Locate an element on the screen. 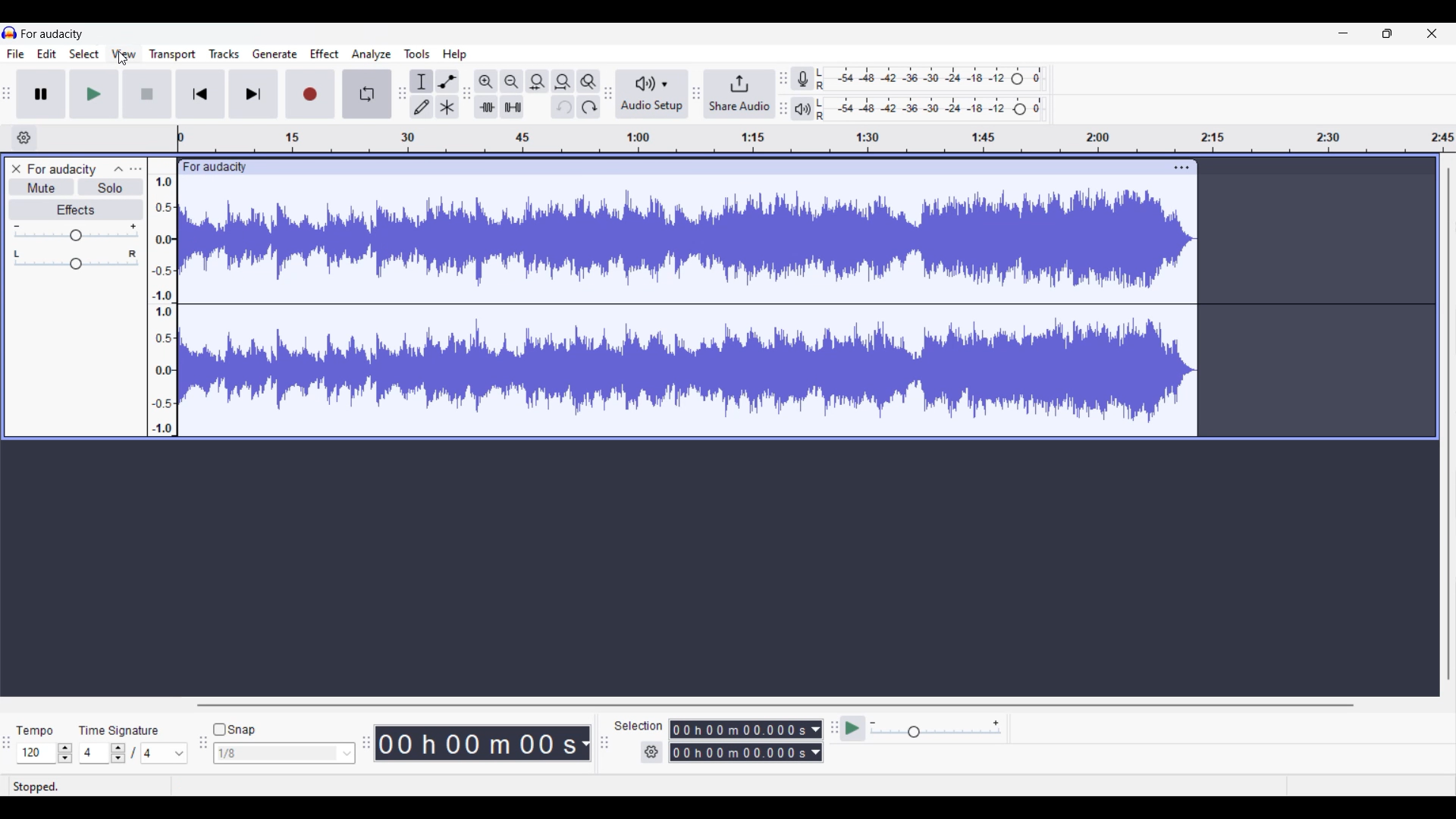  Playback speed settings is located at coordinates (937, 728).